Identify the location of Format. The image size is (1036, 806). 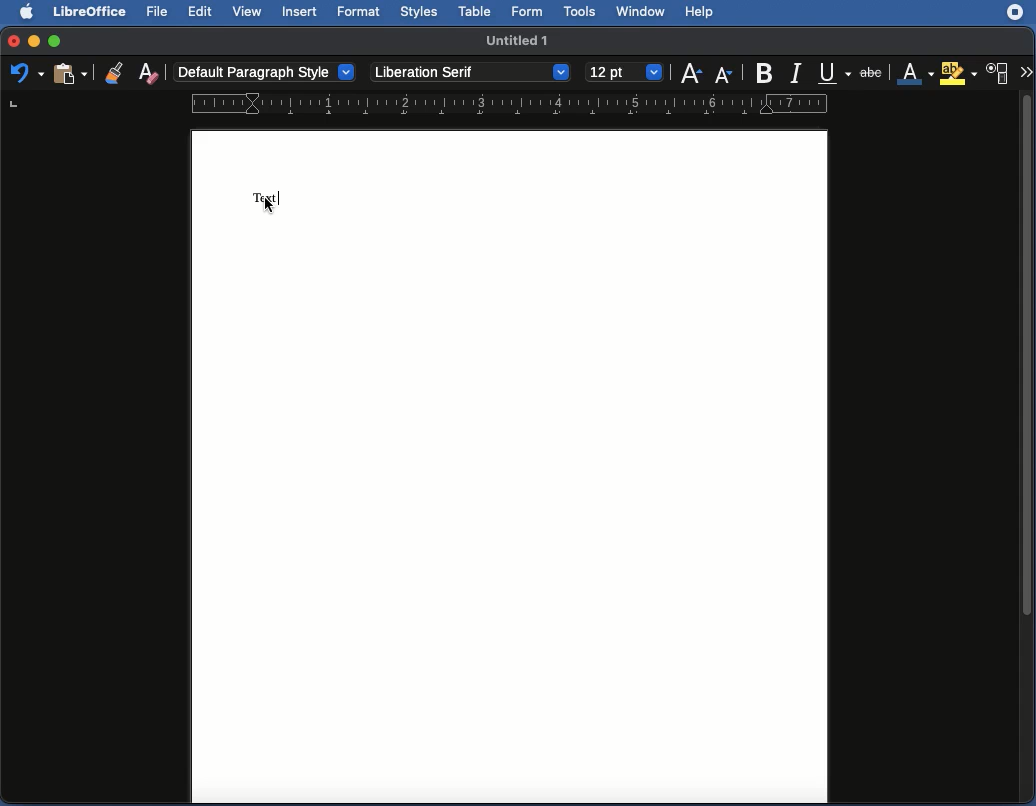
(361, 13).